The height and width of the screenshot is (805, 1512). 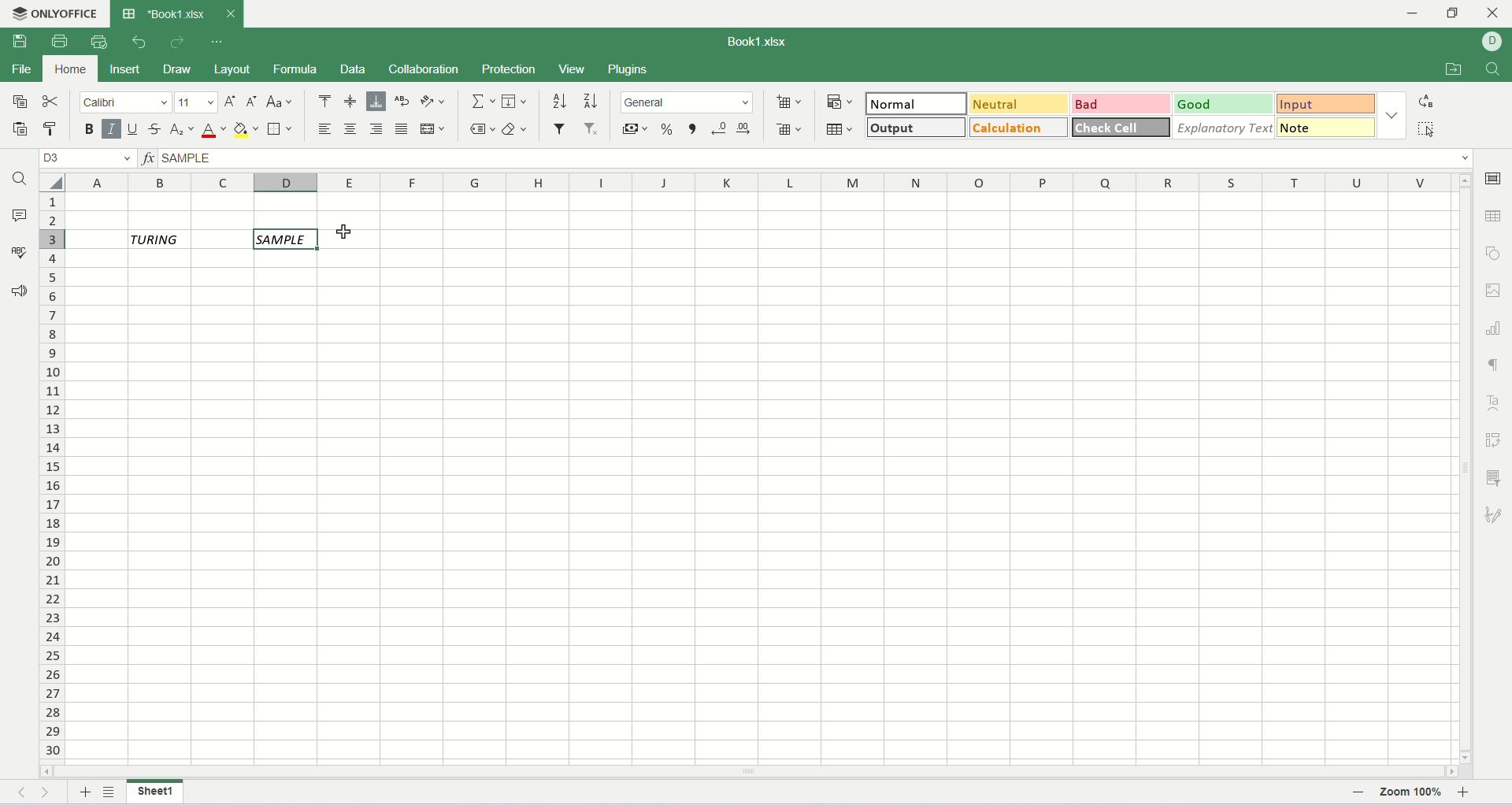 What do you see at coordinates (18, 42) in the screenshot?
I see `save` at bounding box center [18, 42].